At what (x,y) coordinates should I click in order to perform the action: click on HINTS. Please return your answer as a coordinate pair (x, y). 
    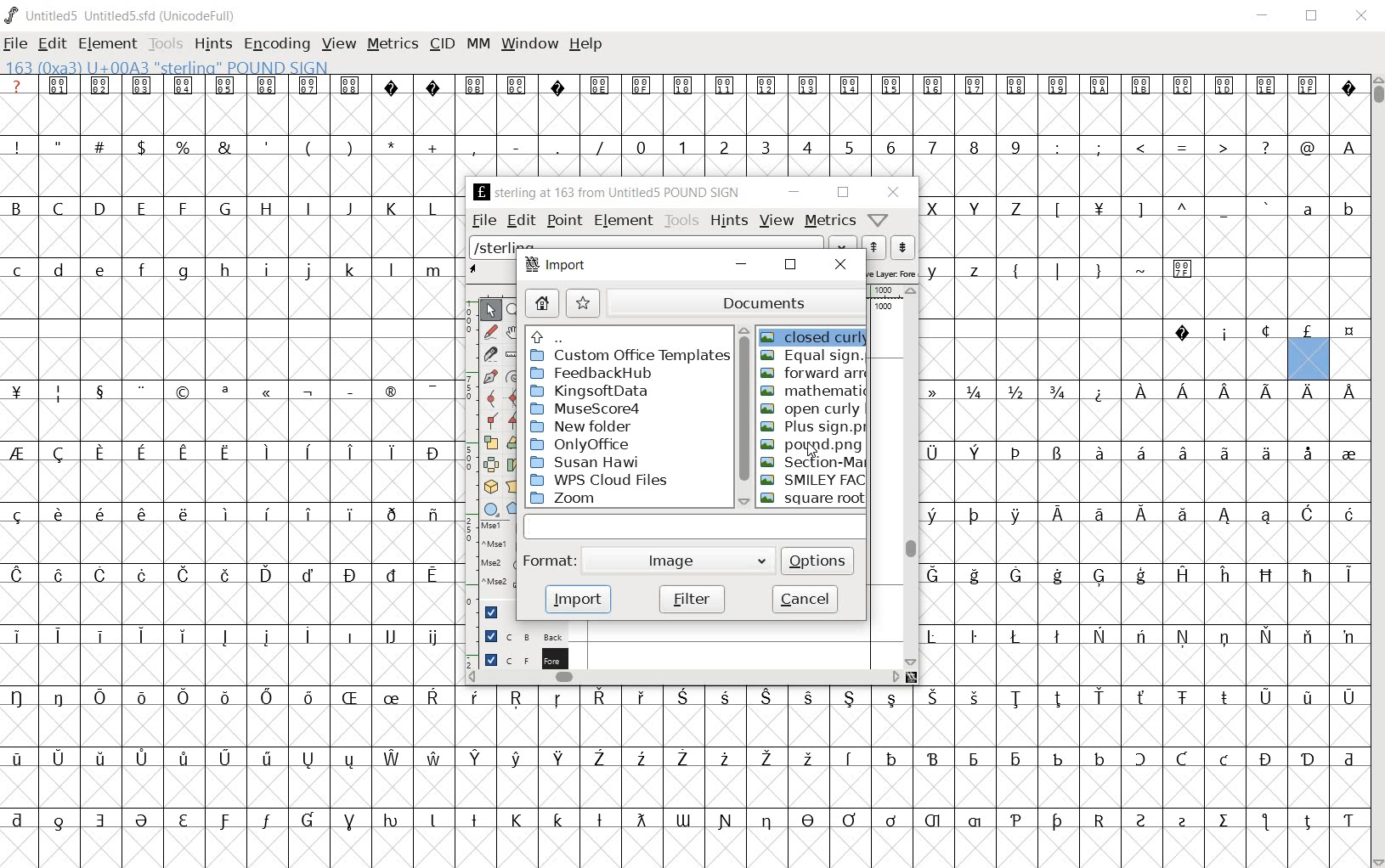
    Looking at the image, I should click on (213, 45).